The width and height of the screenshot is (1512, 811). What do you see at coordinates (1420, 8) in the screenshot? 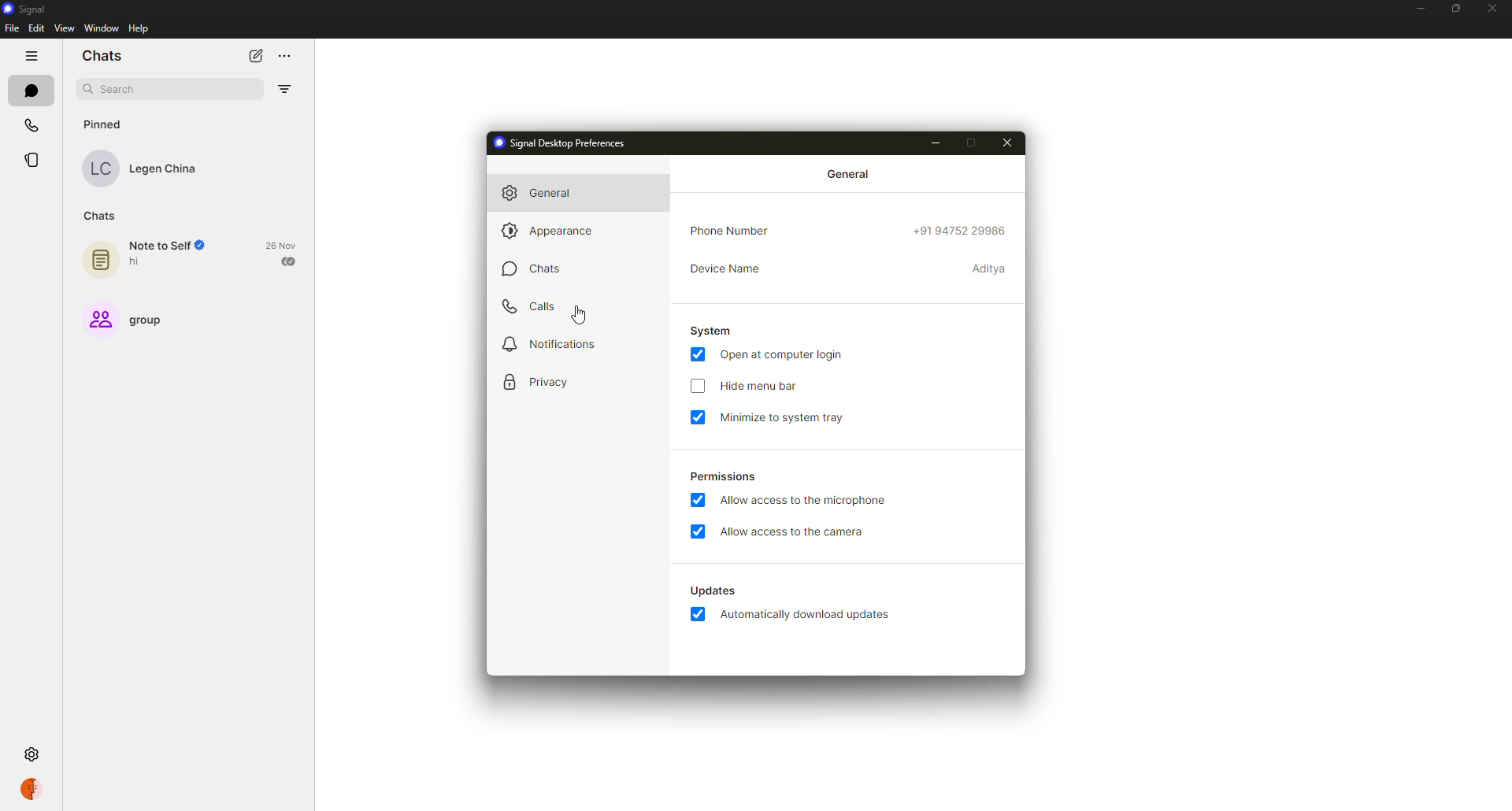
I see `minimize` at bounding box center [1420, 8].